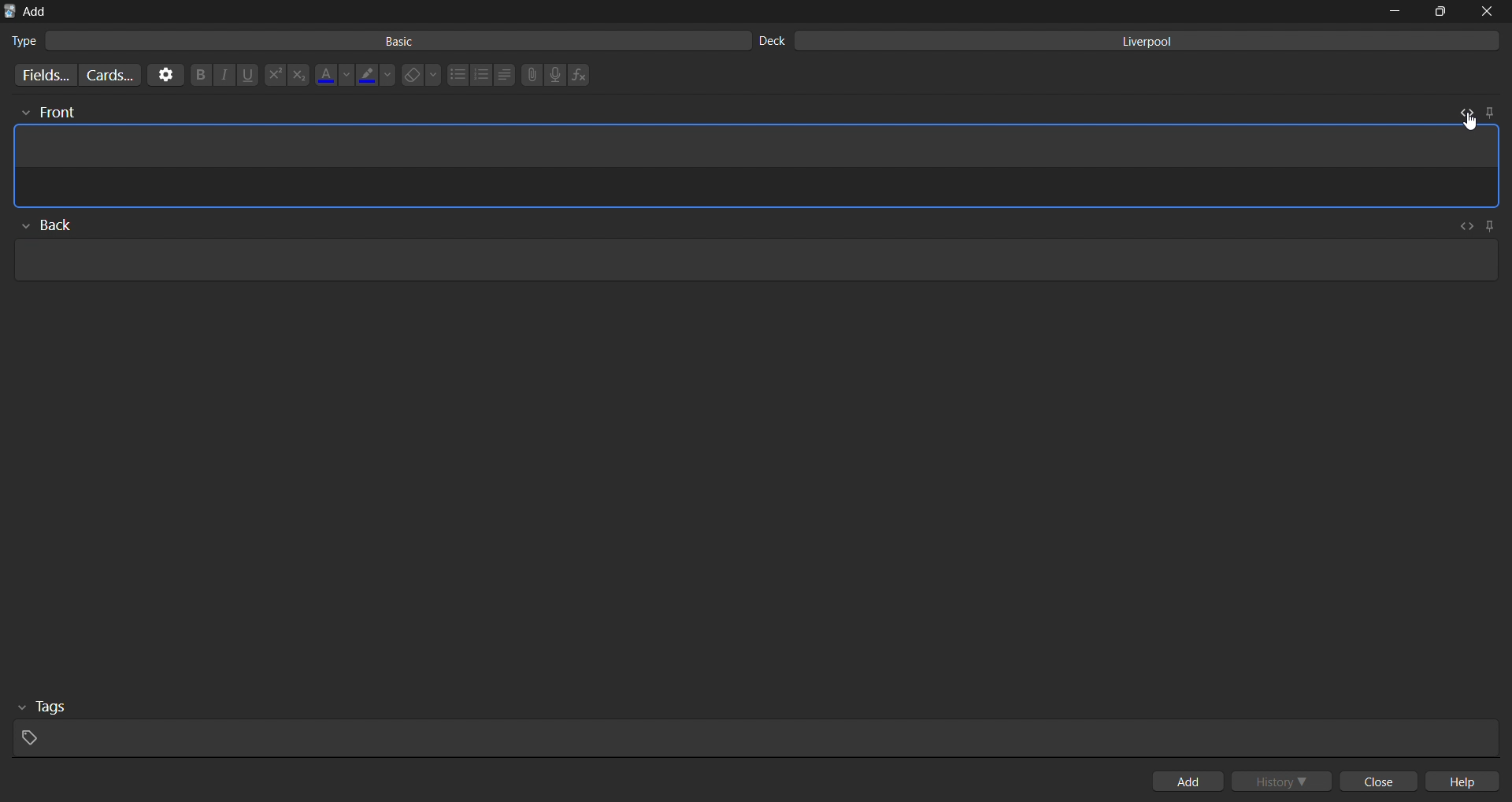  What do you see at coordinates (335, 72) in the screenshot?
I see `font color` at bounding box center [335, 72].